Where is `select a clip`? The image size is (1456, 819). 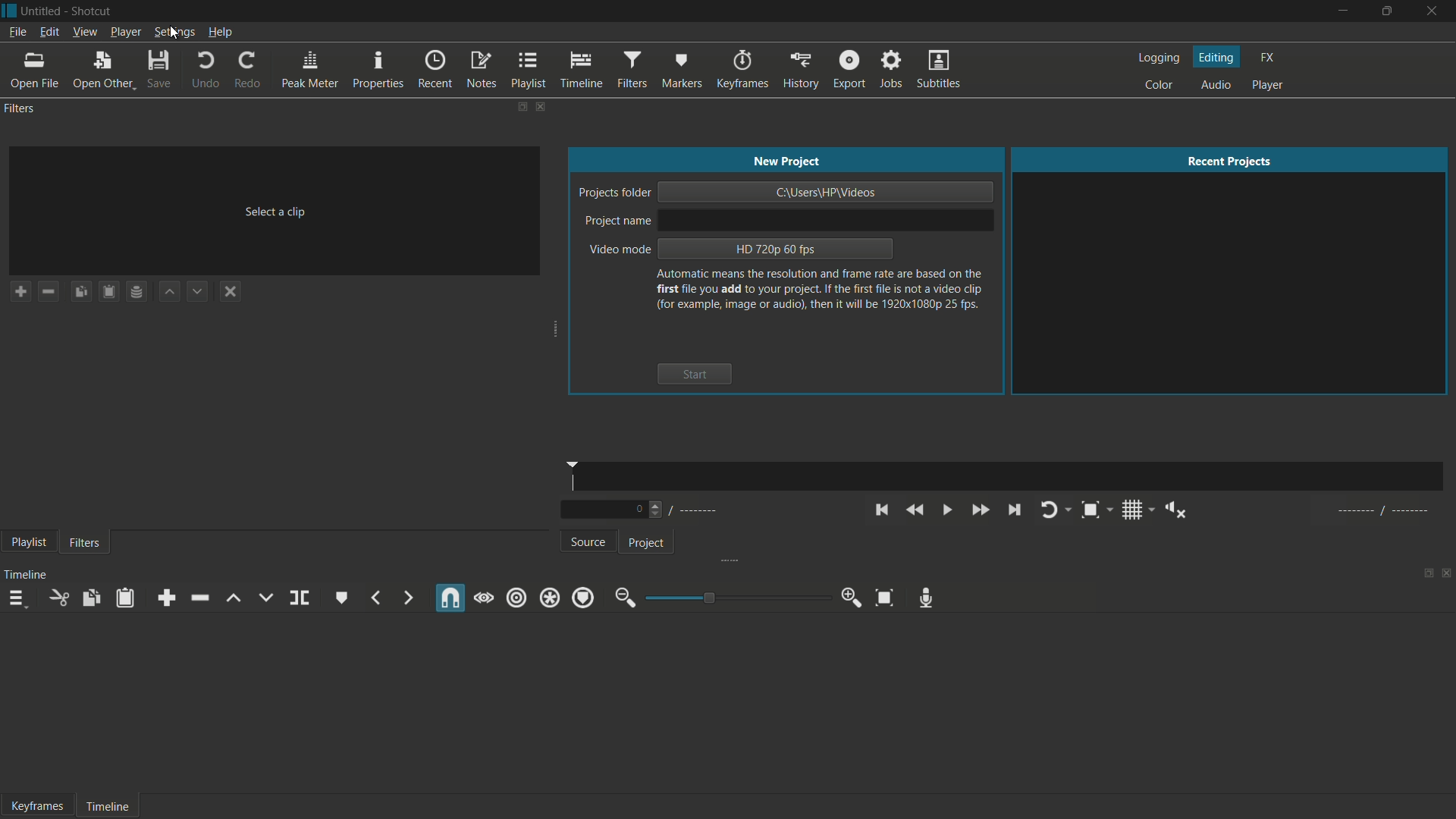 select a clip is located at coordinates (275, 212).